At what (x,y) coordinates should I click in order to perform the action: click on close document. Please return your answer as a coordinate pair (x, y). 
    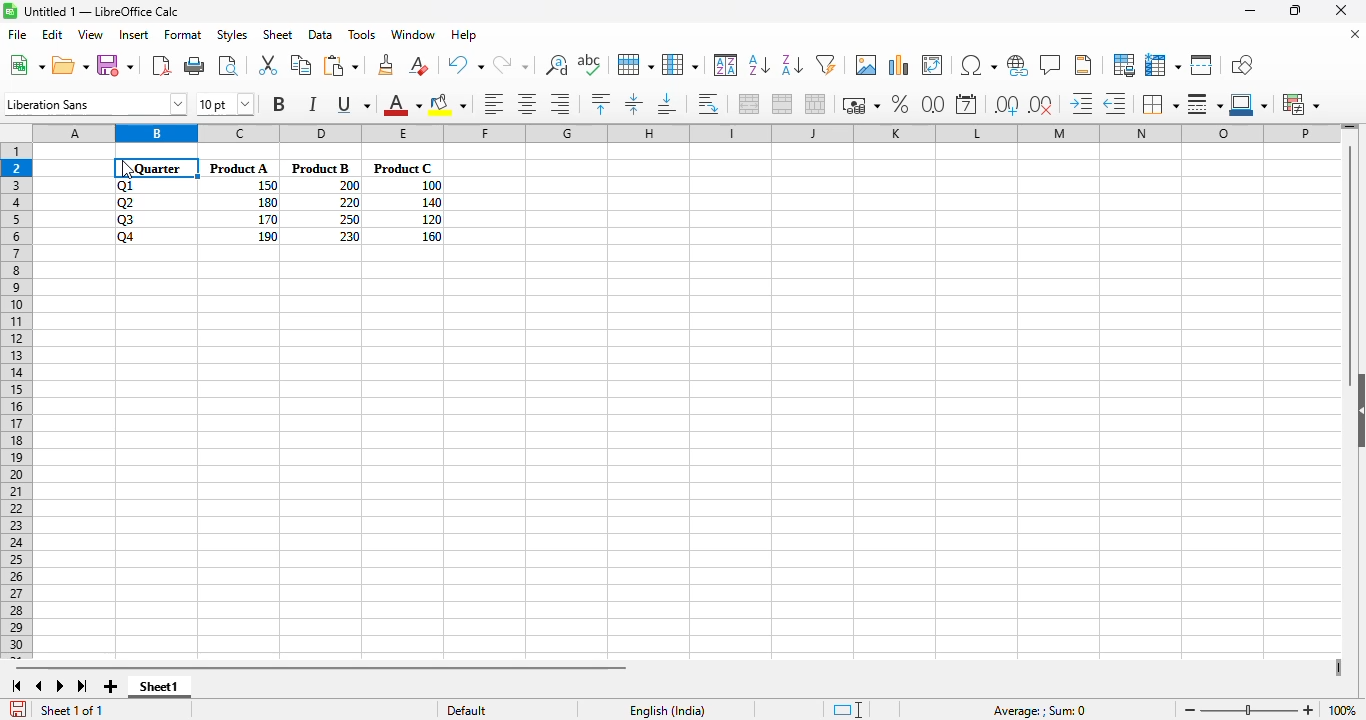
    Looking at the image, I should click on (1355, 34).